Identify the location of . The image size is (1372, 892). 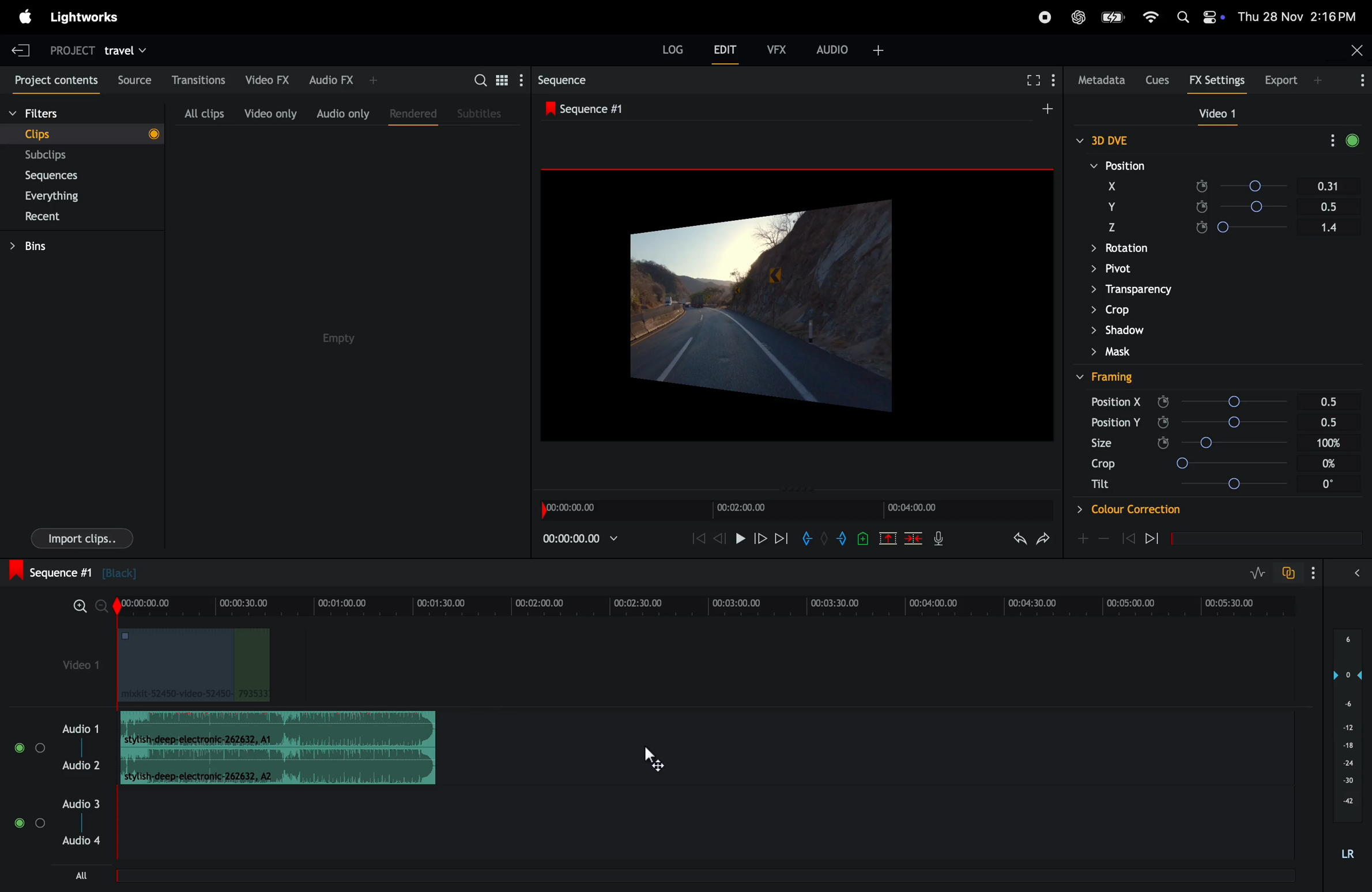
(1239, 484).